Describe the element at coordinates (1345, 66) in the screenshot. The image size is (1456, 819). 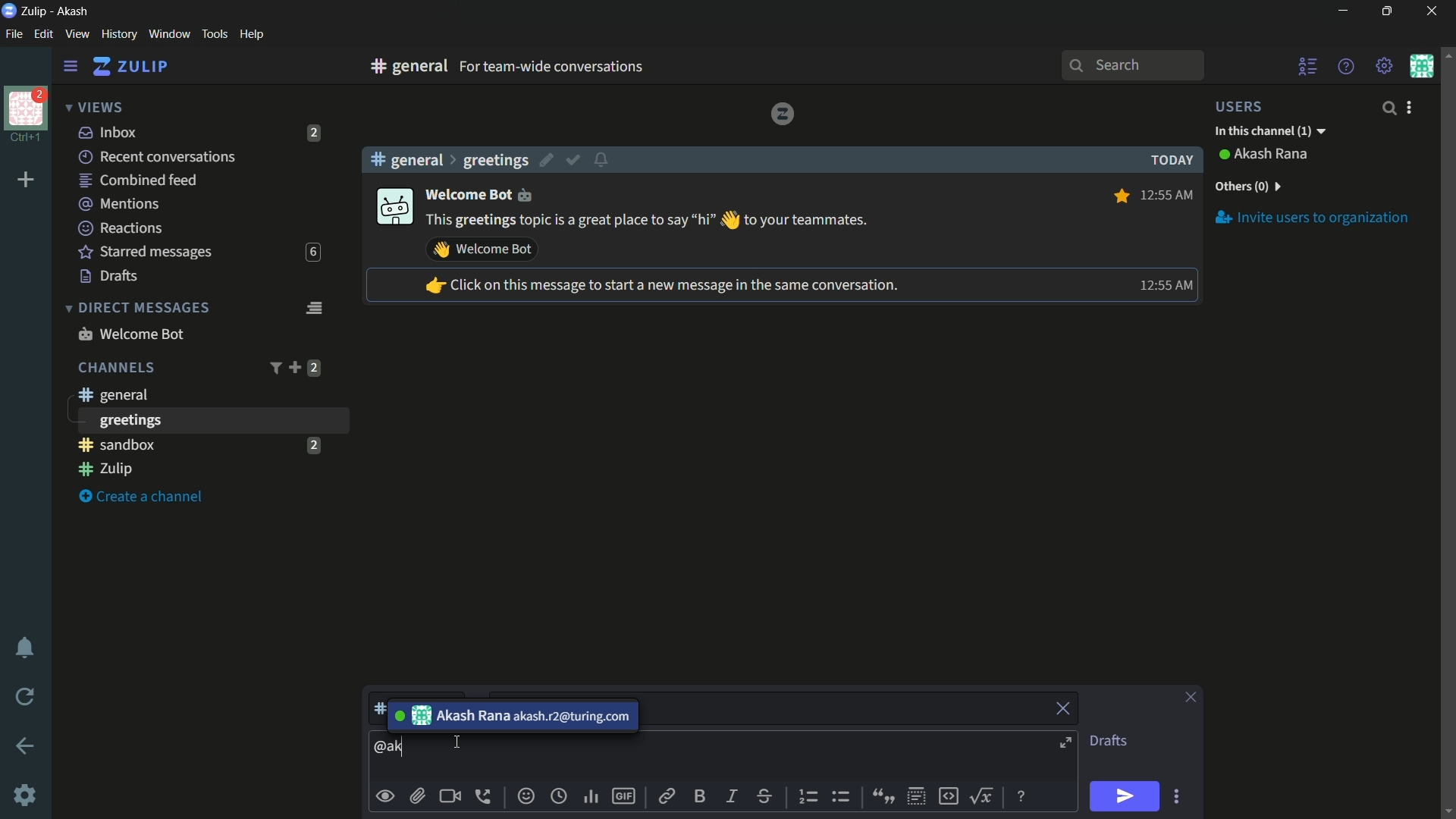
I see `help menu` at that location.